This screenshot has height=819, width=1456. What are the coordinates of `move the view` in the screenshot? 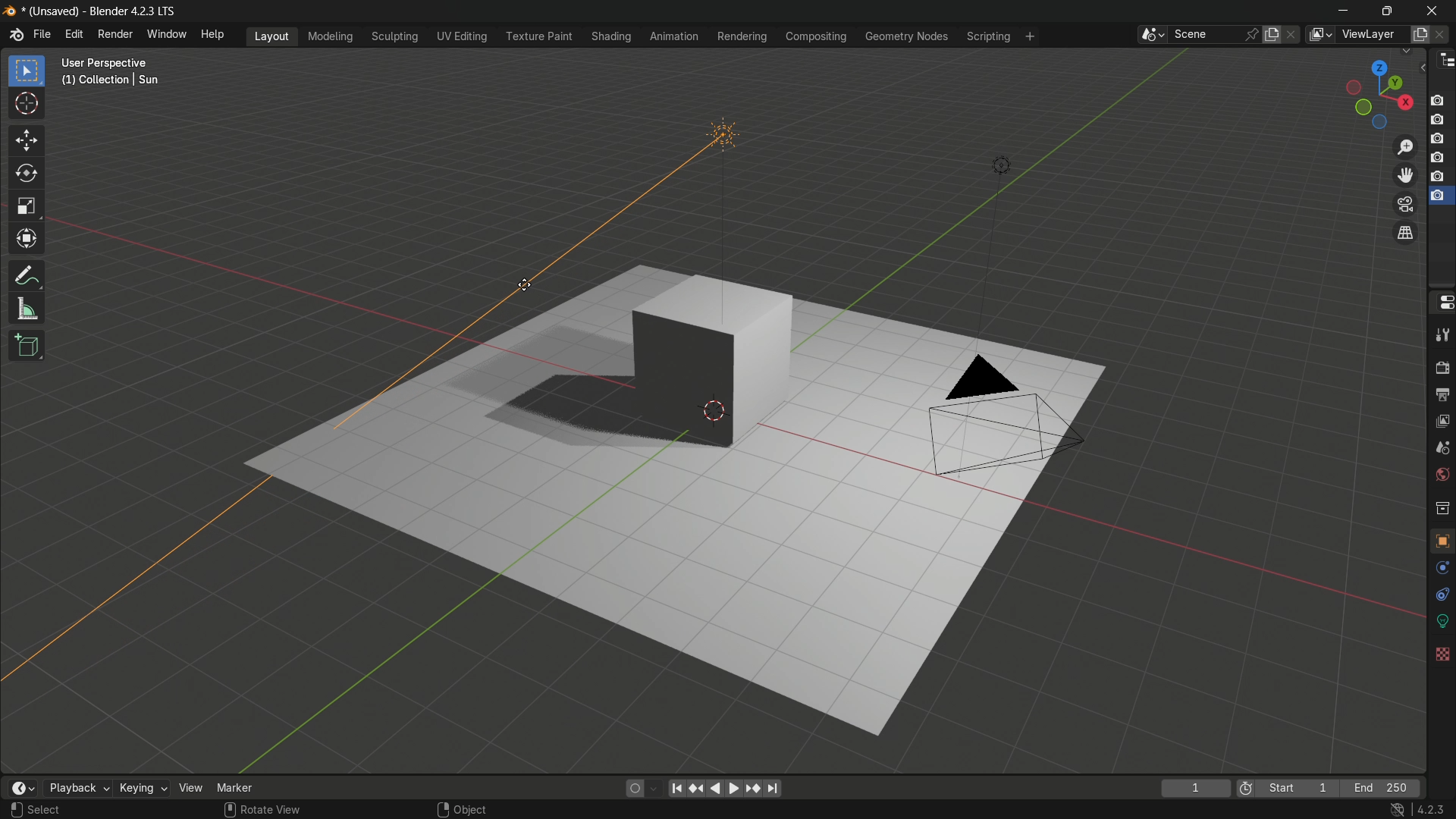 It's located at (1405, 174).